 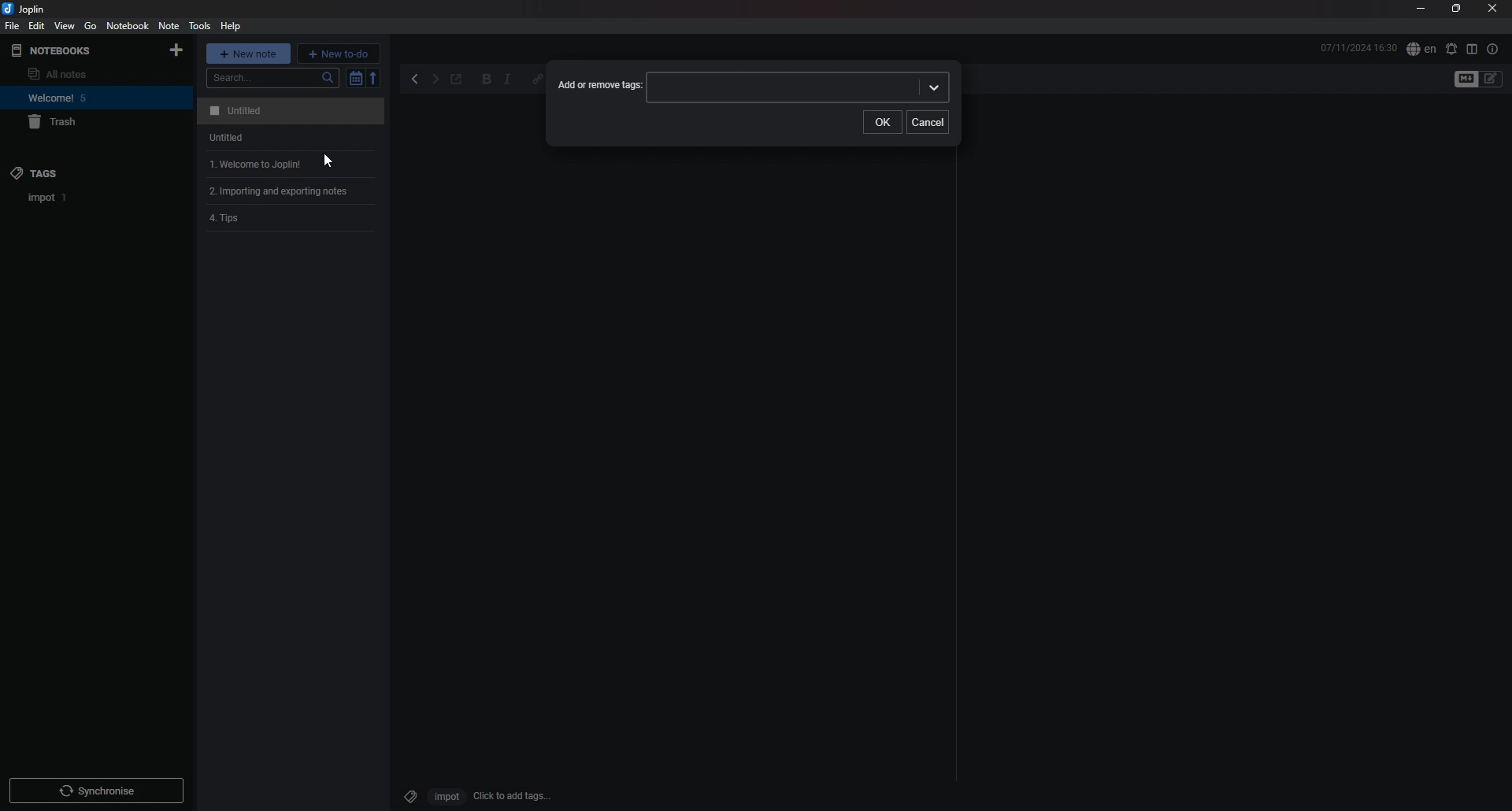 I want to click on new note, so click(x=249, y=53).